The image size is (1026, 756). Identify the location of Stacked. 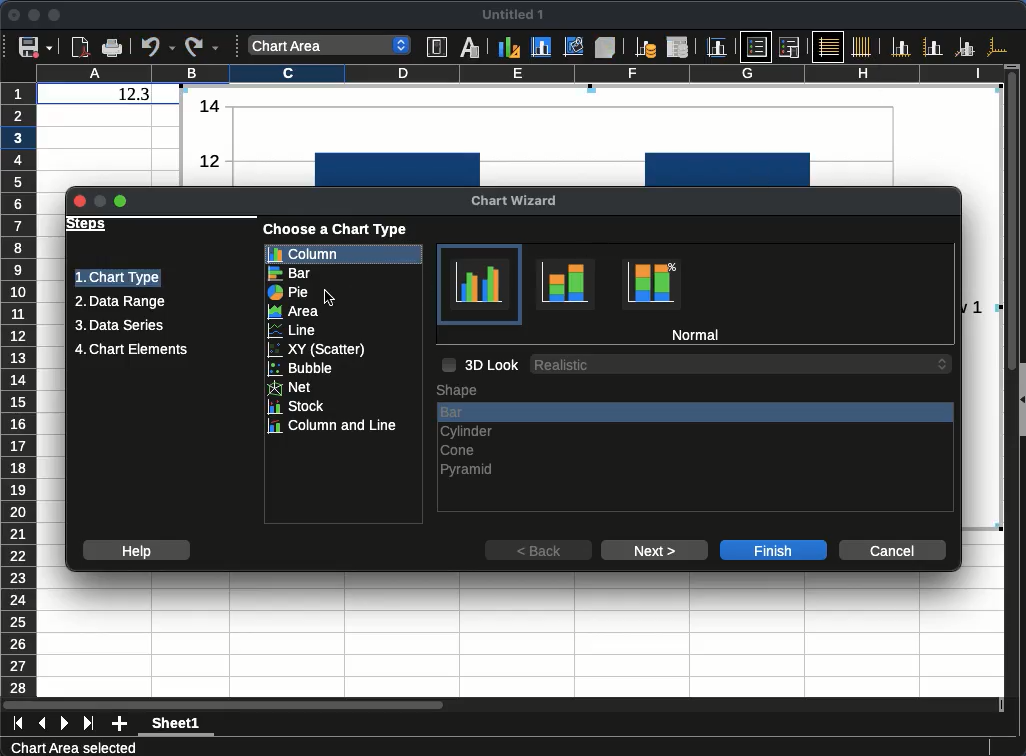
(566, 284).